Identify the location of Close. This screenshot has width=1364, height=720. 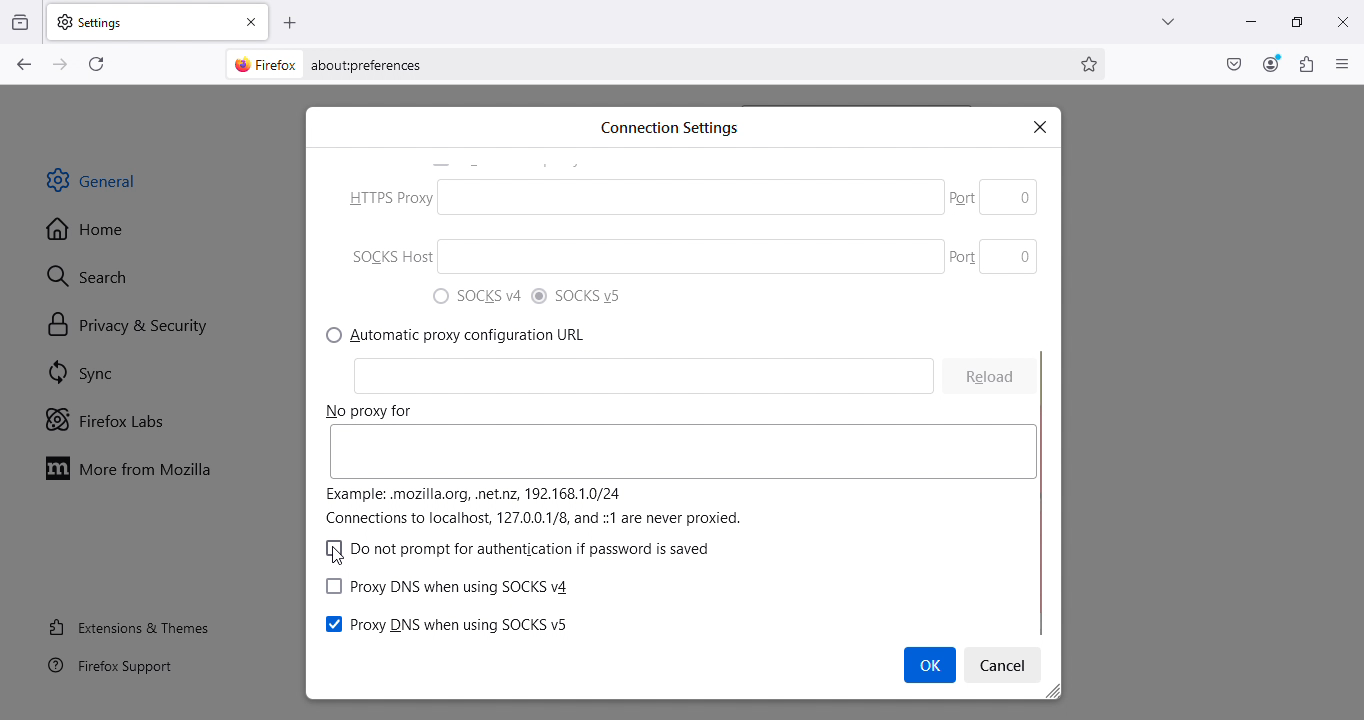
(1342, 21).